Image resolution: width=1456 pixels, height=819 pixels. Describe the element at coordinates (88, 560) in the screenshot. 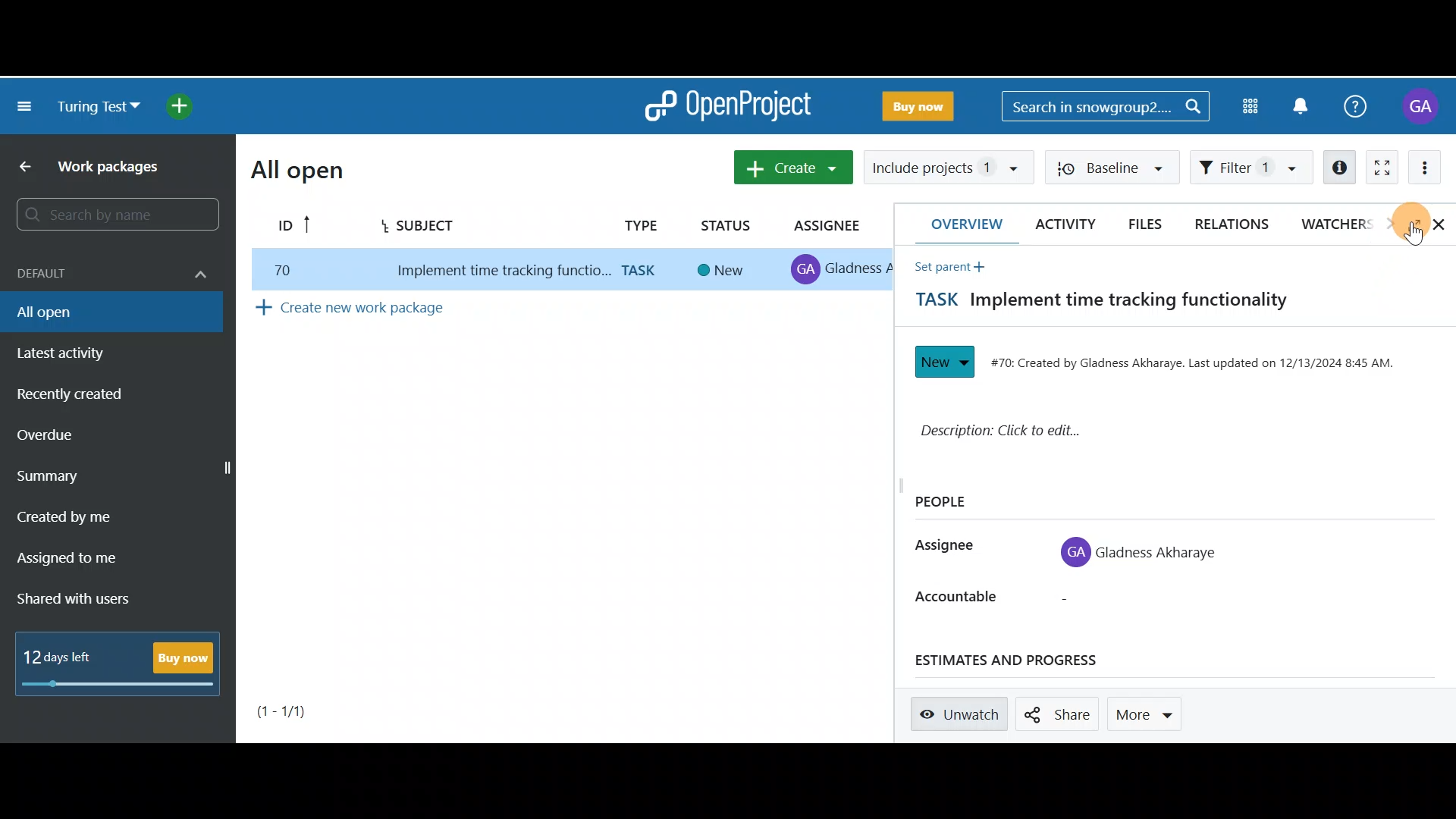

I see `Assigned to me` at that location.